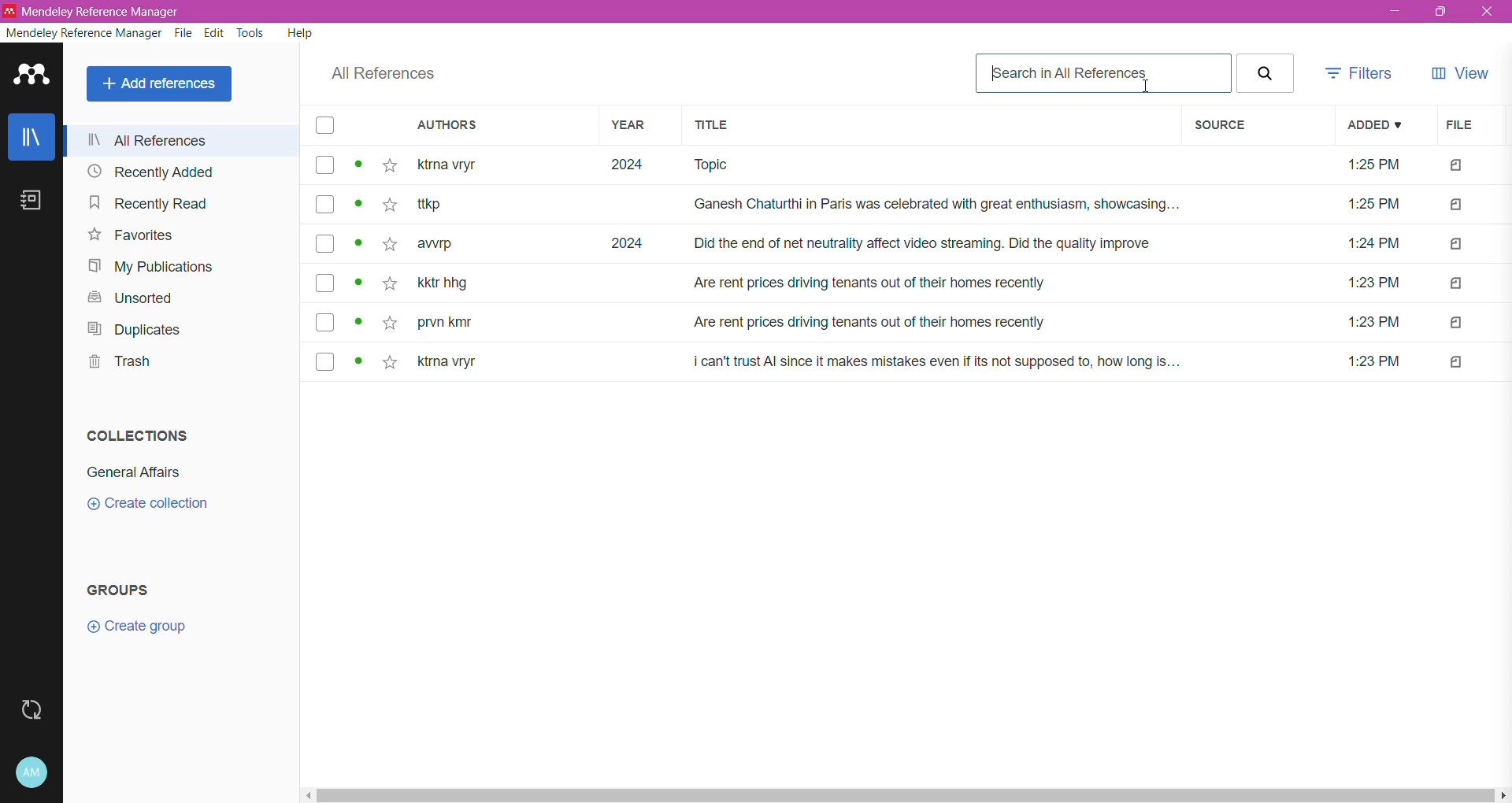 Image resolution: width=1512 pixels, height=803 pixels. Describe the element at coordinates (916, 243) in the screenshot. I see `7 aw 2024 Did the end of net neutrality affect video streaming. Did the quality improve 1:24 PM` at that location.